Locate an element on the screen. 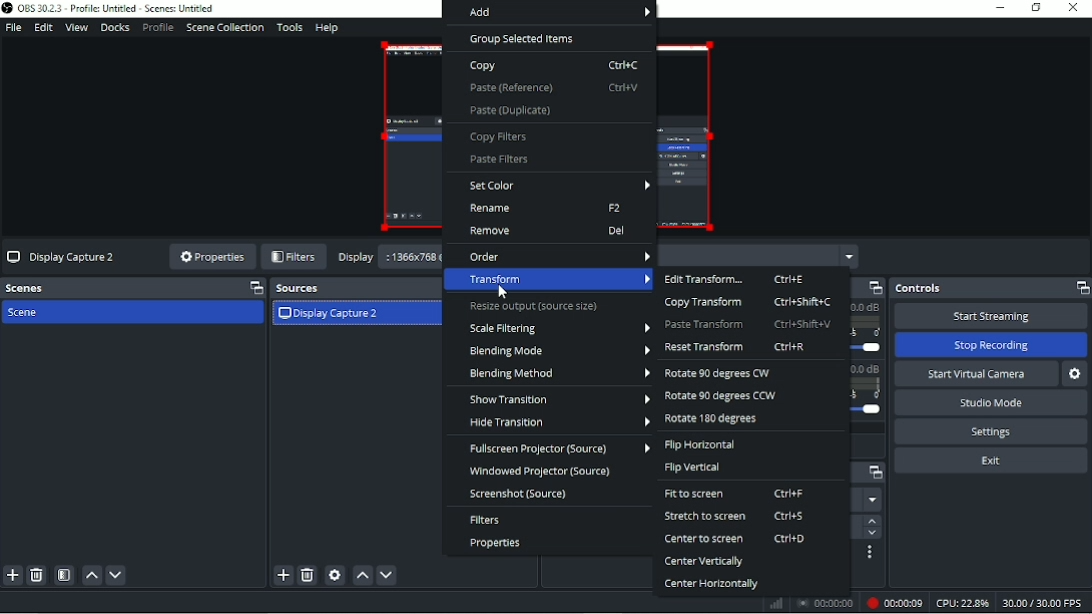 The height and width of the screenshot is (614, 1092). Screenshot is located at coordinates (519, 494).